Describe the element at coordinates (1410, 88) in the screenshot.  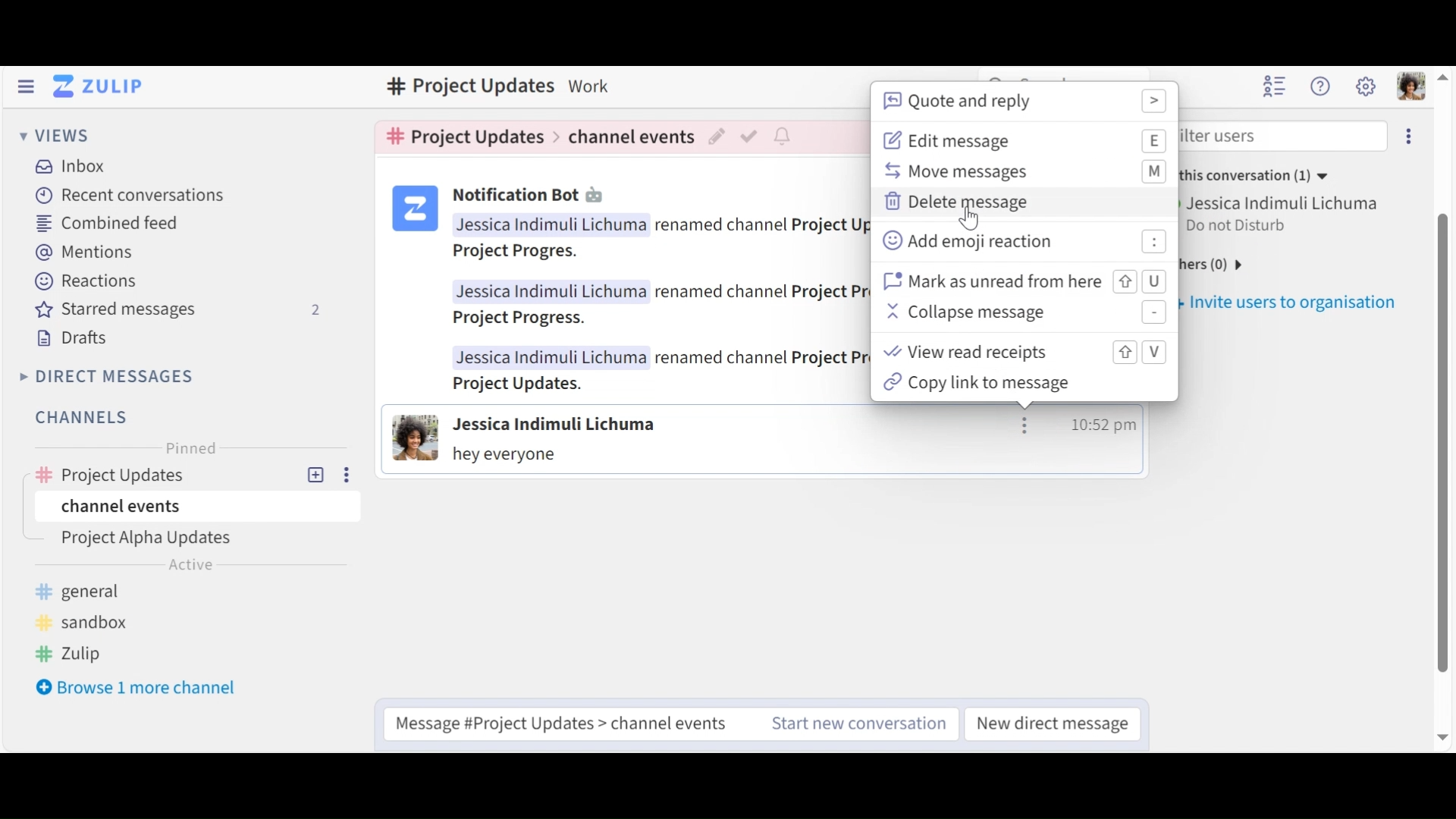
I see `Personal menu` at that location.